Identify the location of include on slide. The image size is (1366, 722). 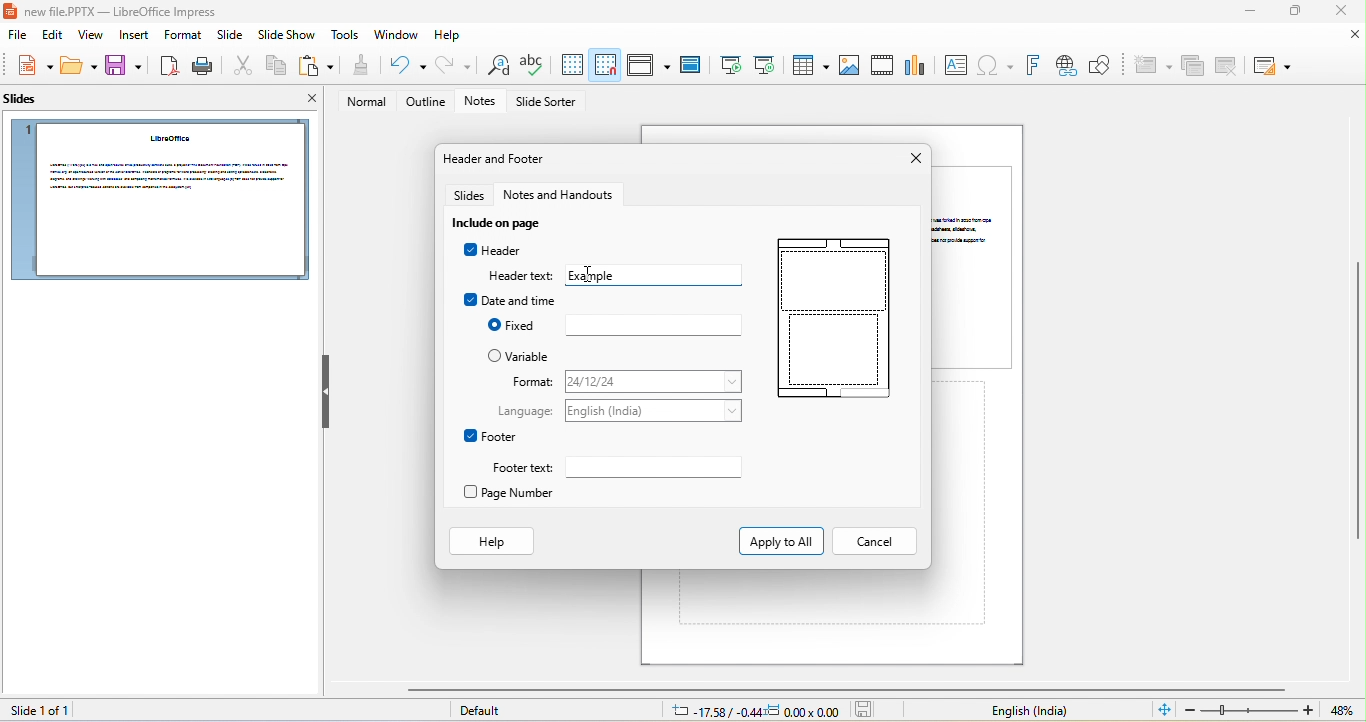
(502, 223).